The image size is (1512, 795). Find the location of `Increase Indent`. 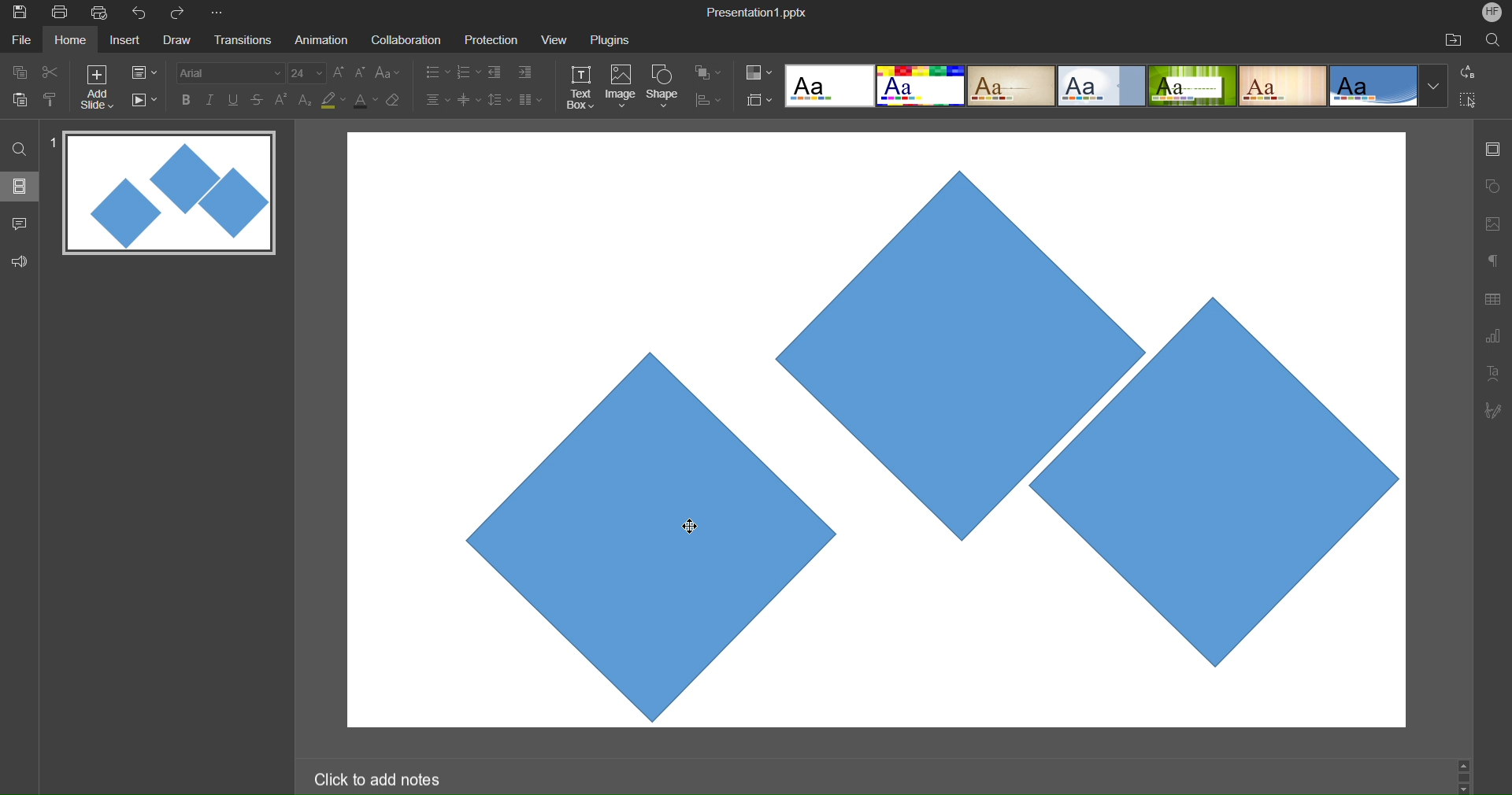

Increase Indent is located at coordinates (525, 70).